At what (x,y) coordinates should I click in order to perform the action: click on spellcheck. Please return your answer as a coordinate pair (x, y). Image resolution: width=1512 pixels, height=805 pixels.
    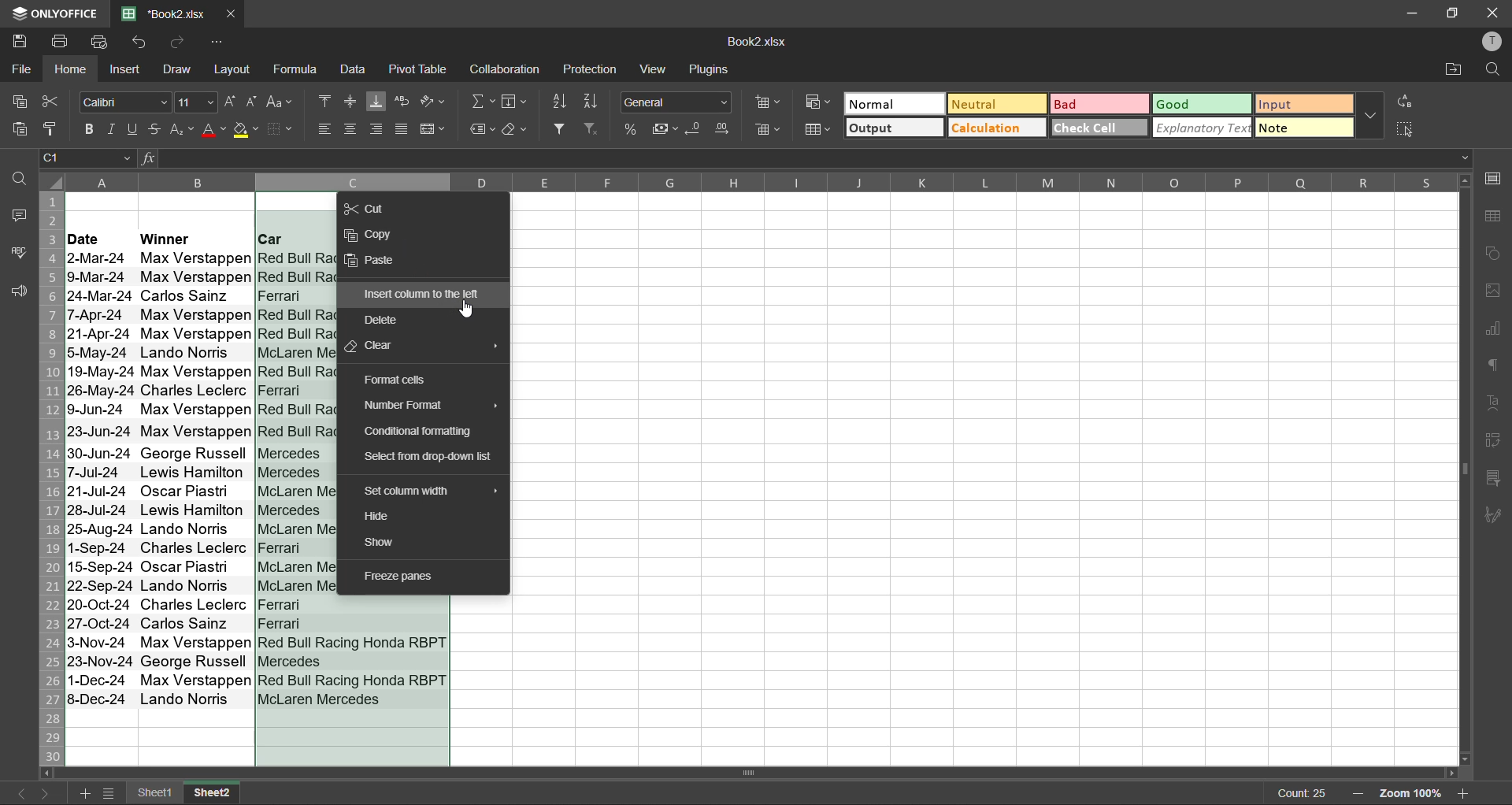
    Looking at the image, I should click on (19, 254).